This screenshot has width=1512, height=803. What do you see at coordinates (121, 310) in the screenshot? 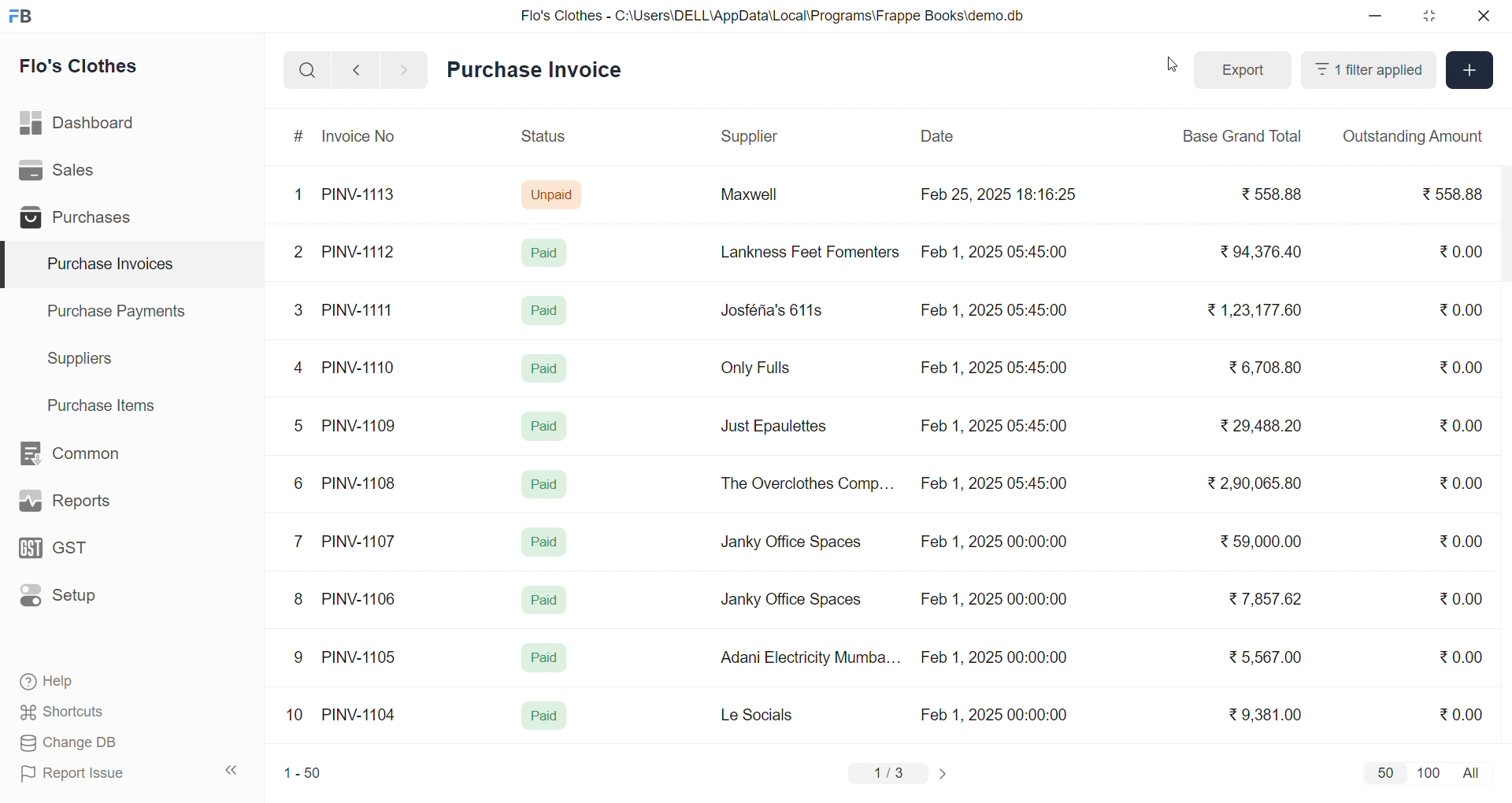
I see `Purchase Payments` at bounding box center [121, 310].